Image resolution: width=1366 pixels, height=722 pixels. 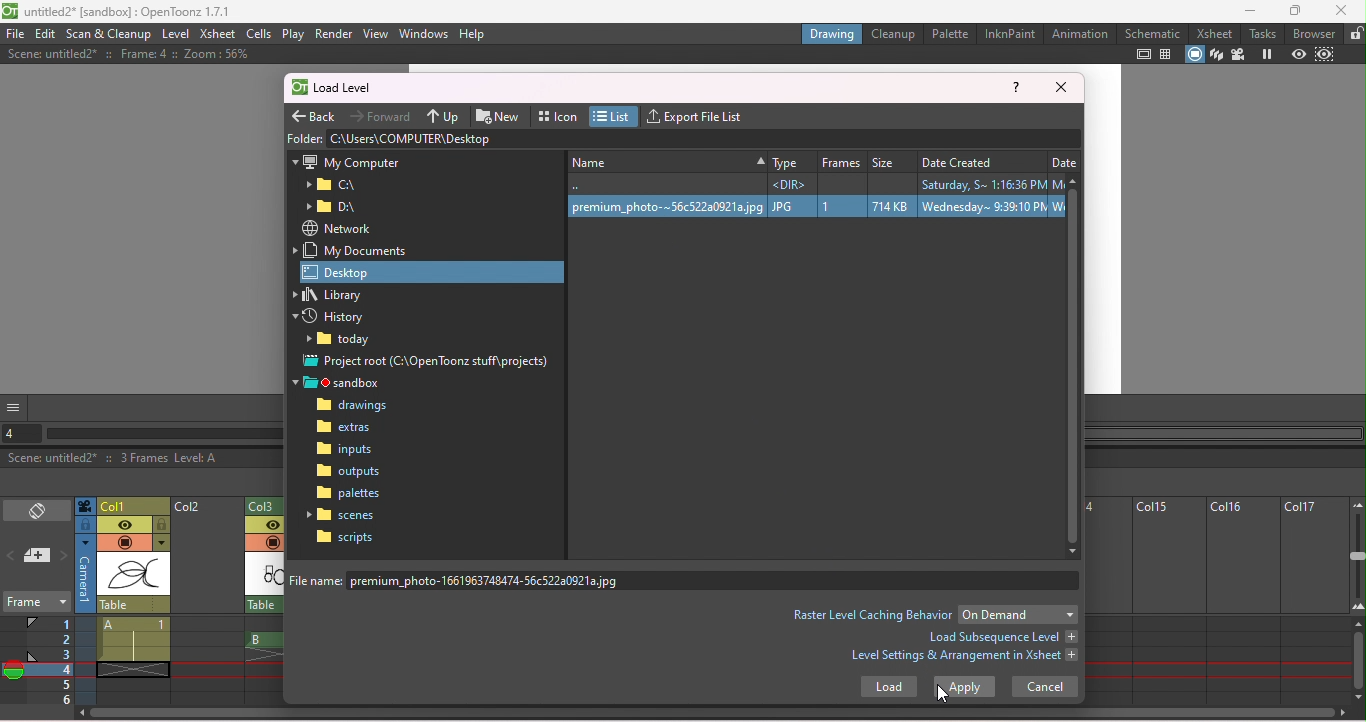 What do you see at coordinates (832, 33) in the screenshot?
I see `Drawing` at bounding box center [832, 33].